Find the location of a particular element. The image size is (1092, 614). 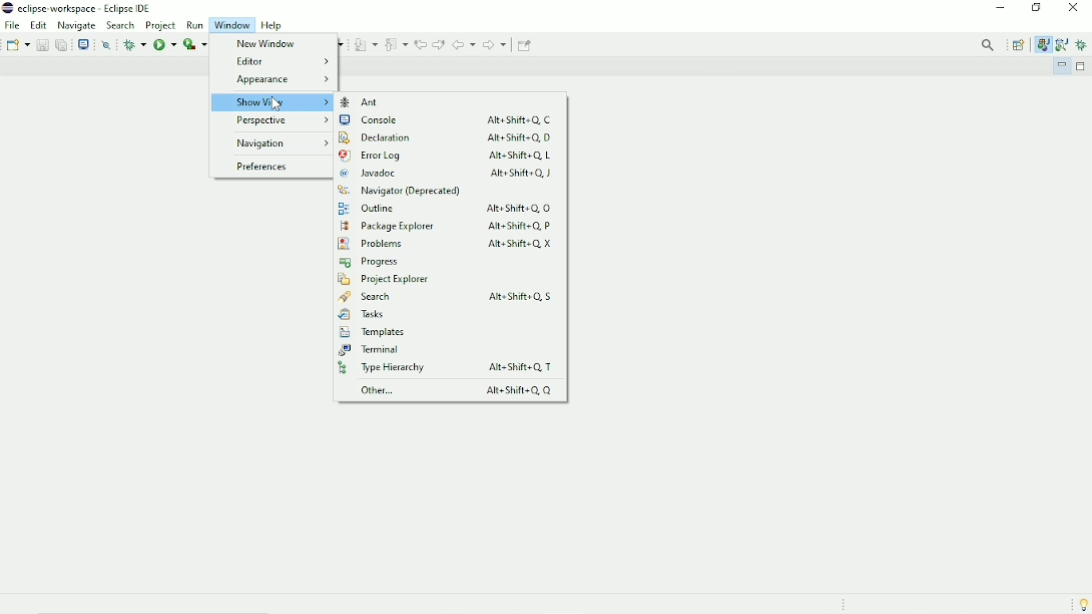

eclipse logo  is located at coordinates (7, 8).